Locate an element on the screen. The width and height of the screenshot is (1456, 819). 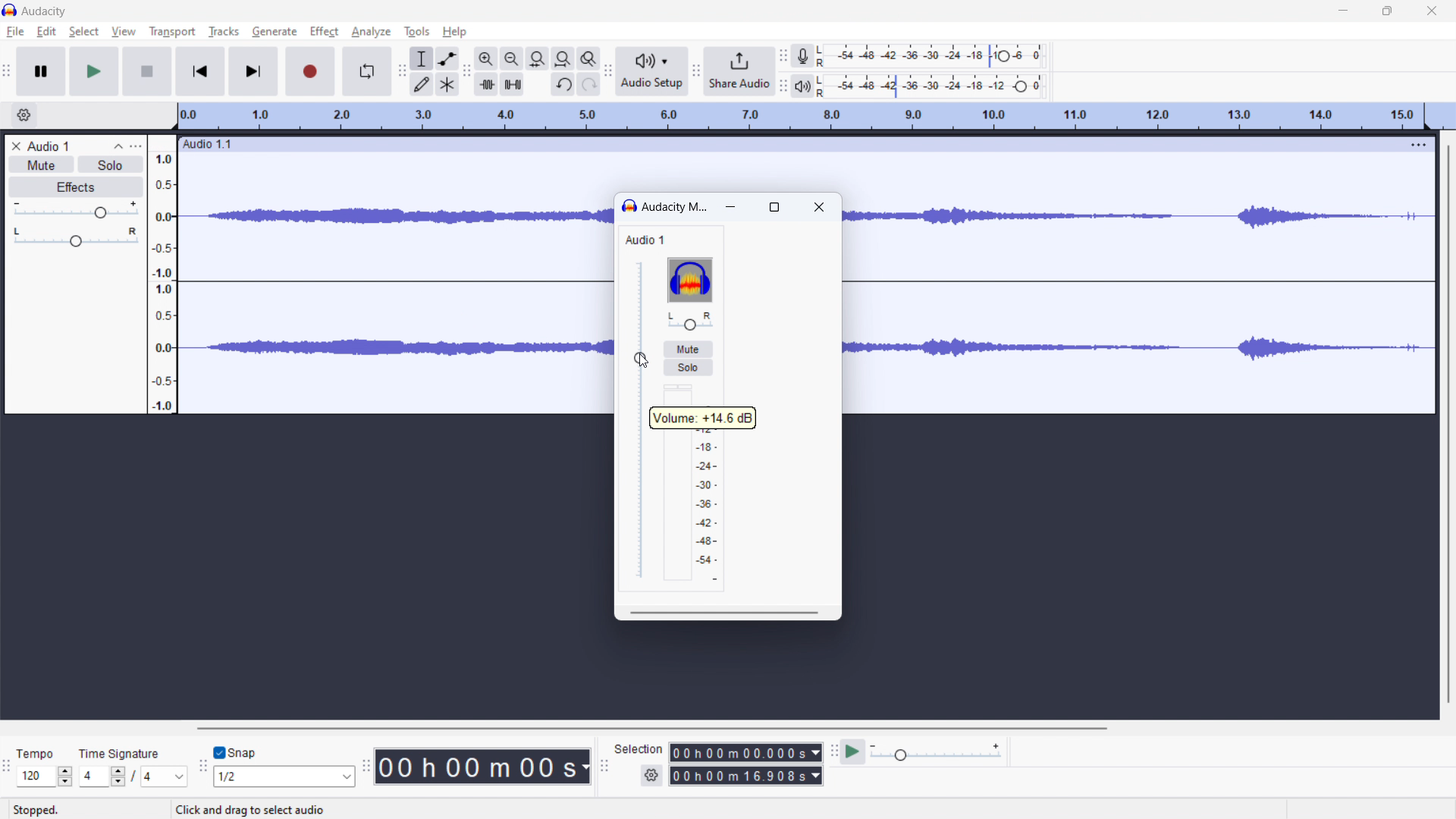
time toolbar is located at coordinates (366, 765).